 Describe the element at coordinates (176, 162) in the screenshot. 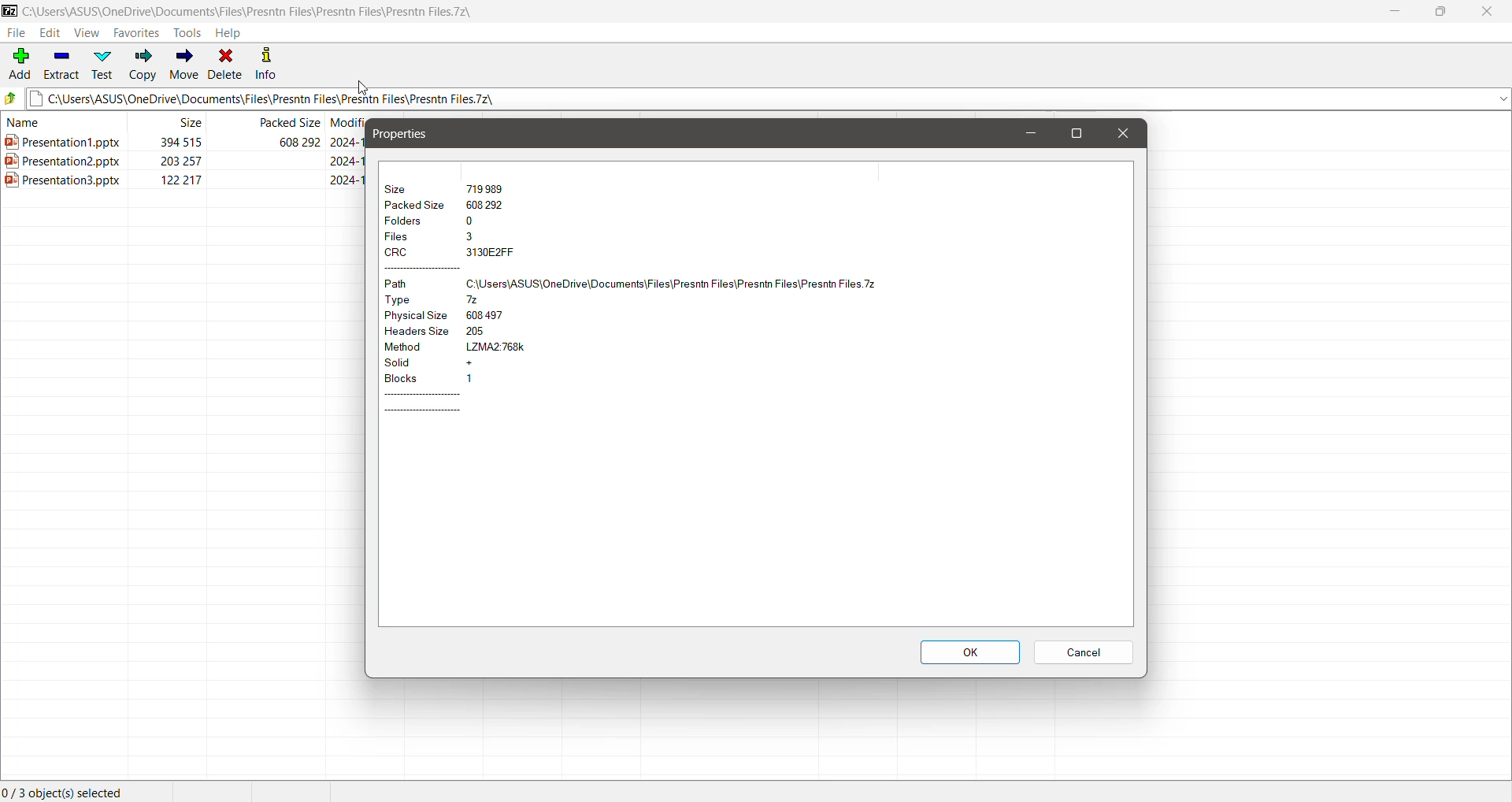

I see `203 257` at that location.